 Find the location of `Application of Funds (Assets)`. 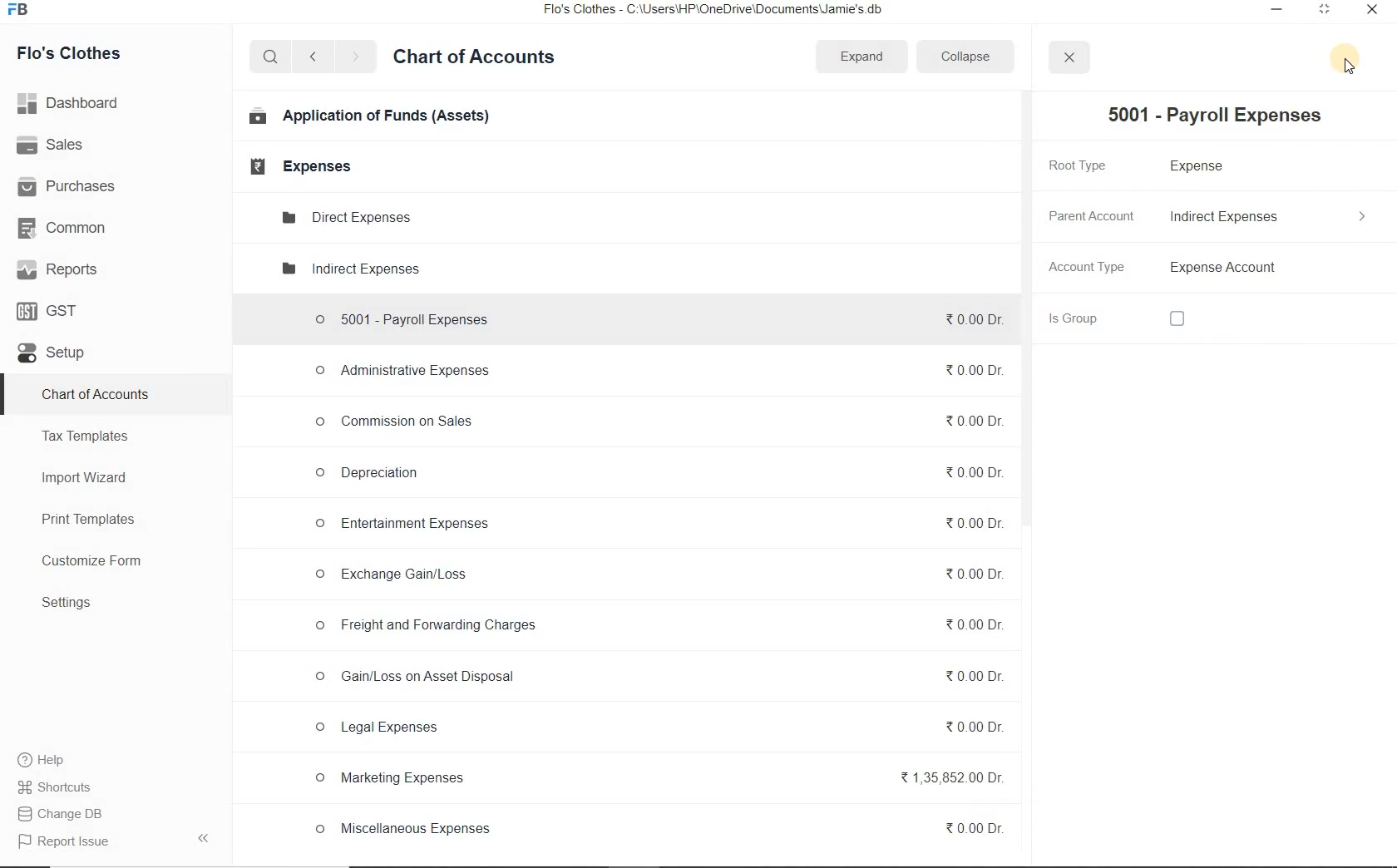

Application of Funds (Assets) is located at coordinates (370, 117).